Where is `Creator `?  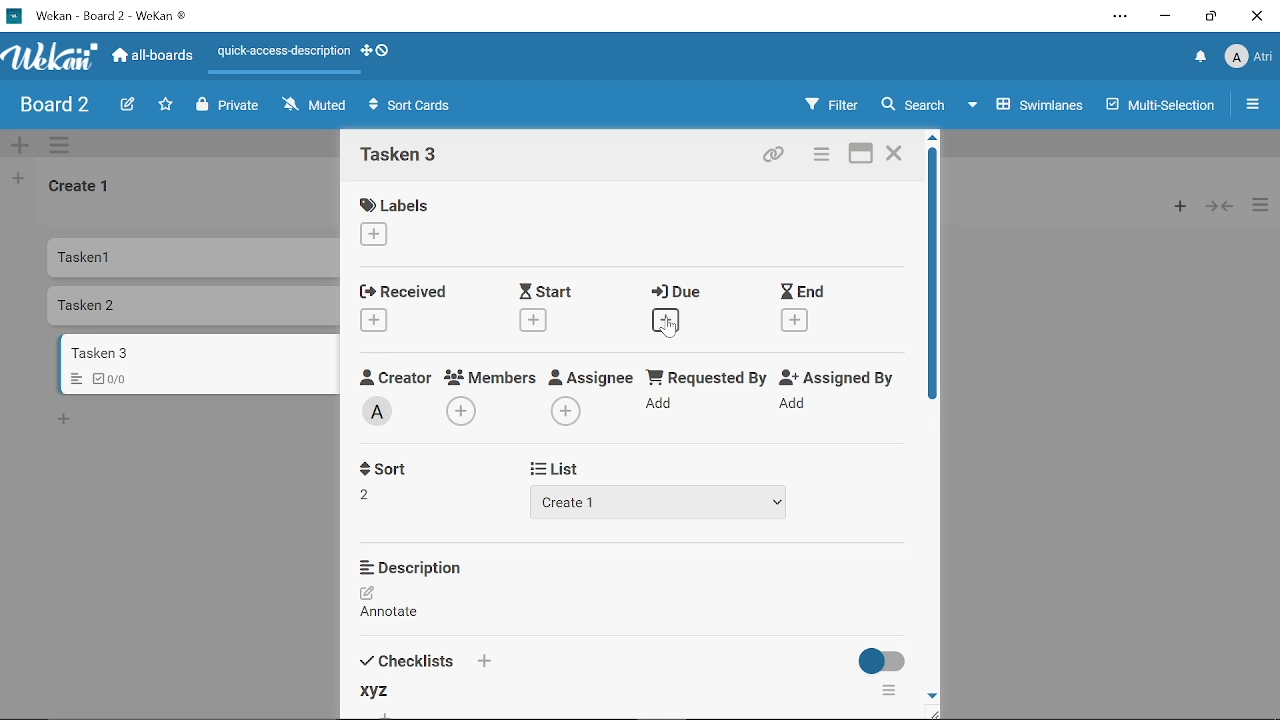 Creator  is located at coordinates (380, 413).